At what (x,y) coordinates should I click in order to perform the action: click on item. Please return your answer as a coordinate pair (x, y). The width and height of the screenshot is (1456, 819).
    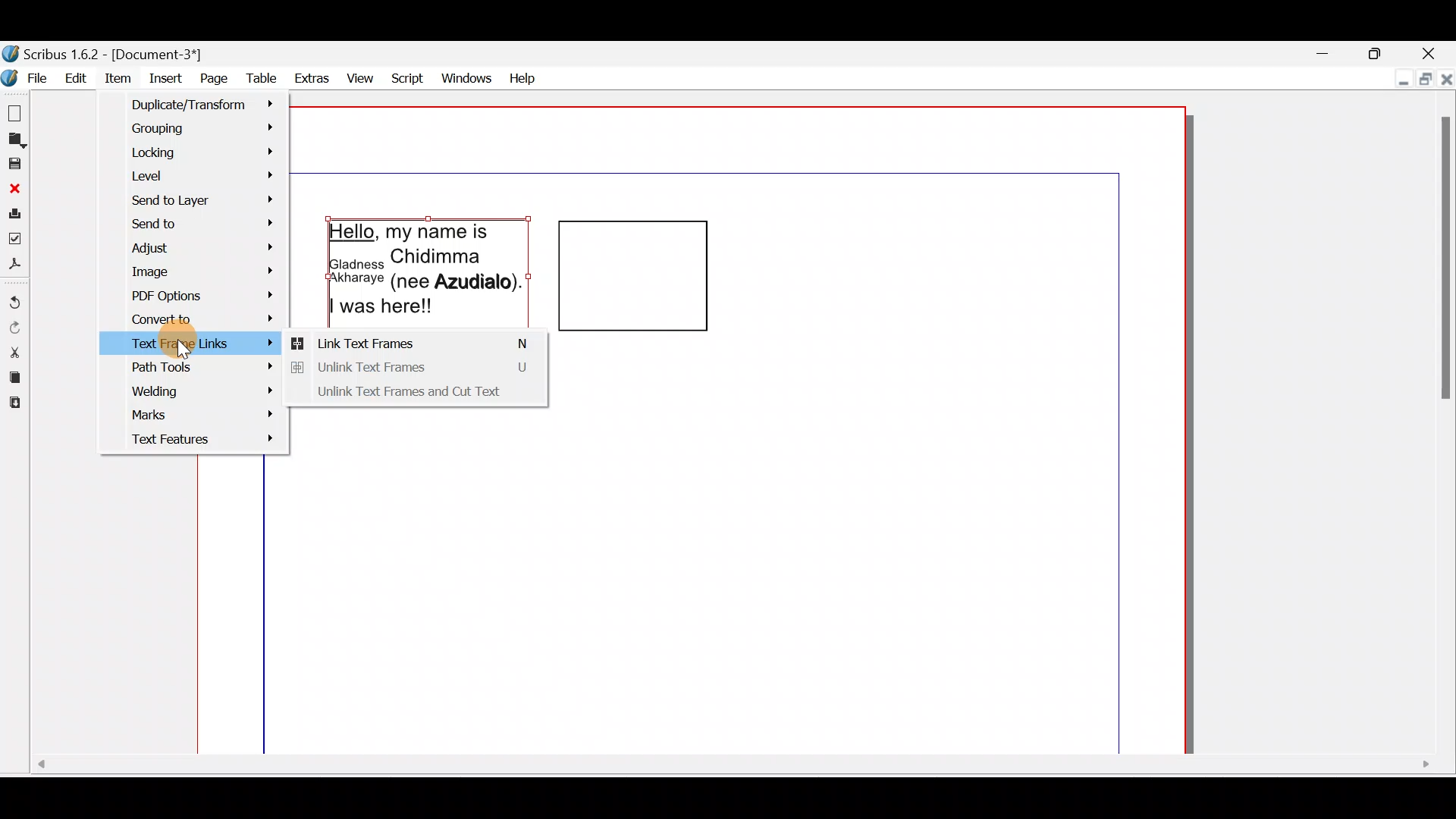
    Looking at the image, I should click on (121, 79).